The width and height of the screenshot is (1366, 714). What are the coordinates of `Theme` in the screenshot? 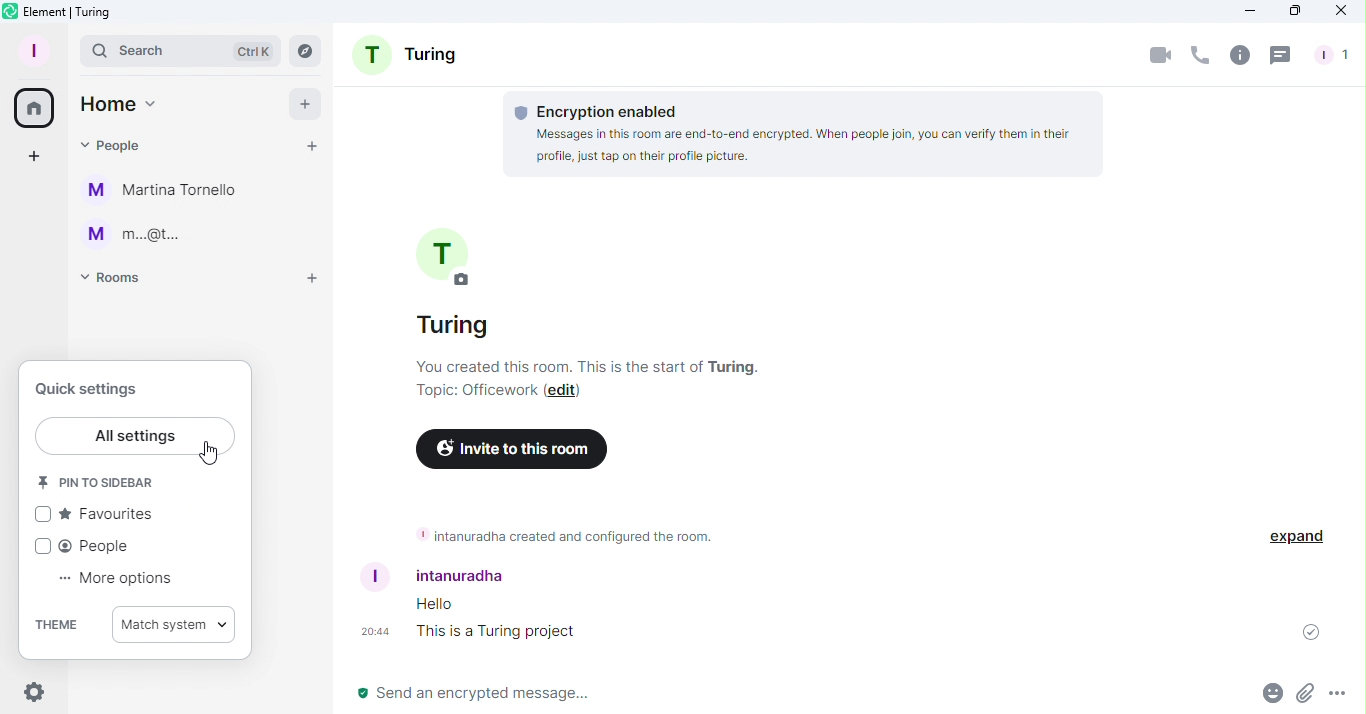 It's located at (57, 629).